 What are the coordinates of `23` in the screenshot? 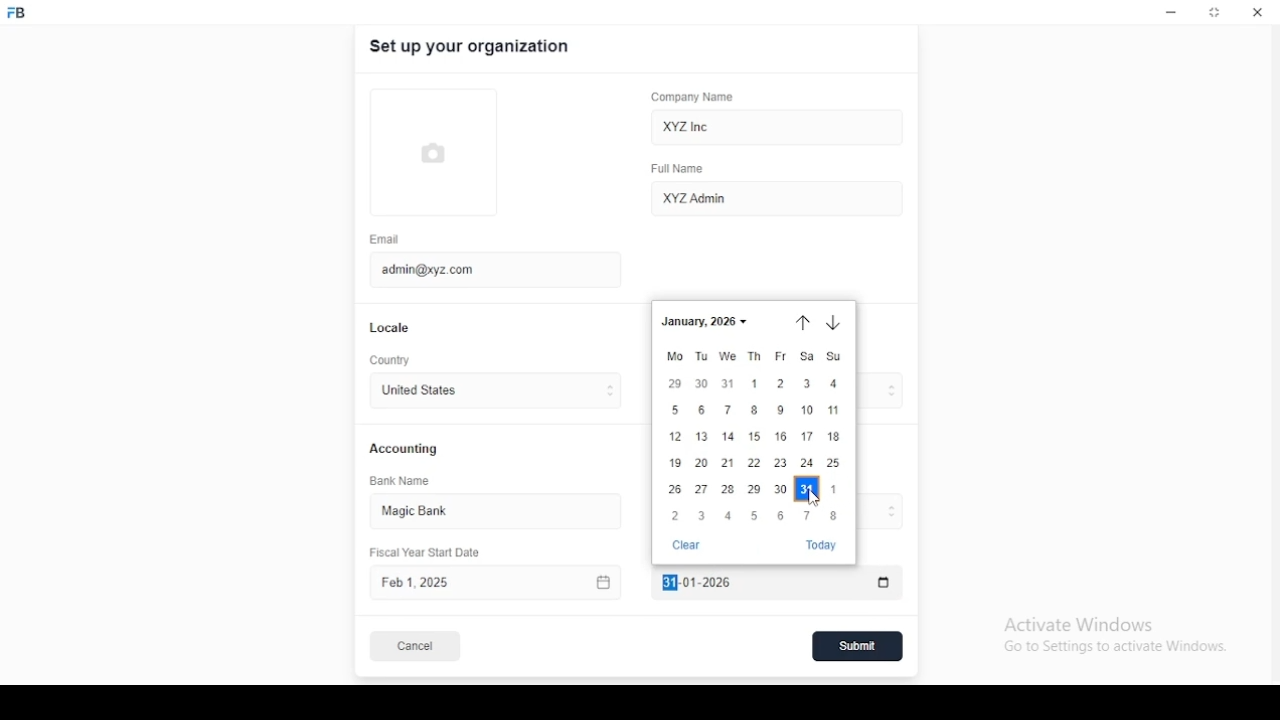 It's located at (780, 464).